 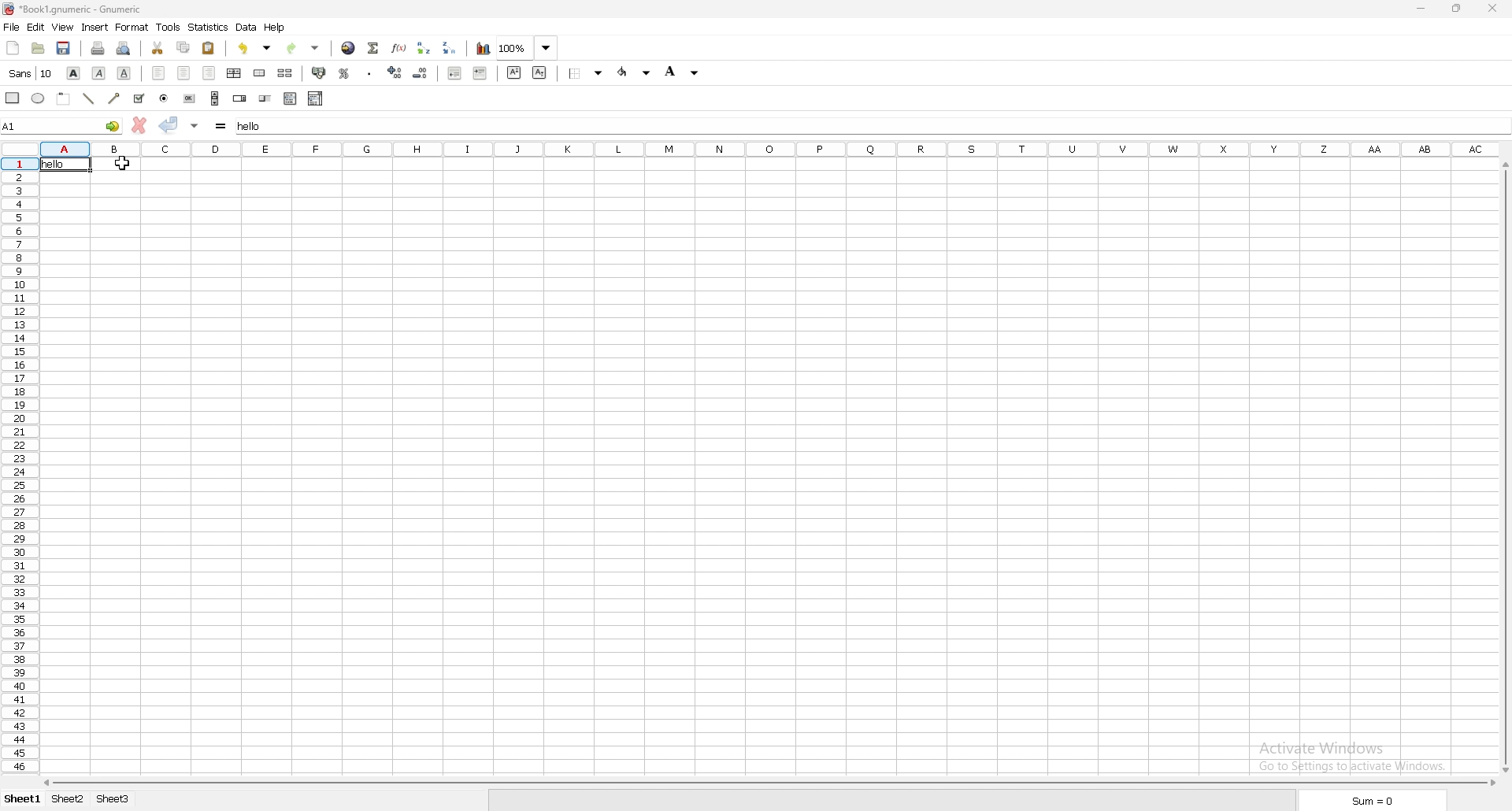 I want to click on sum, so click(x=1374, y=801).